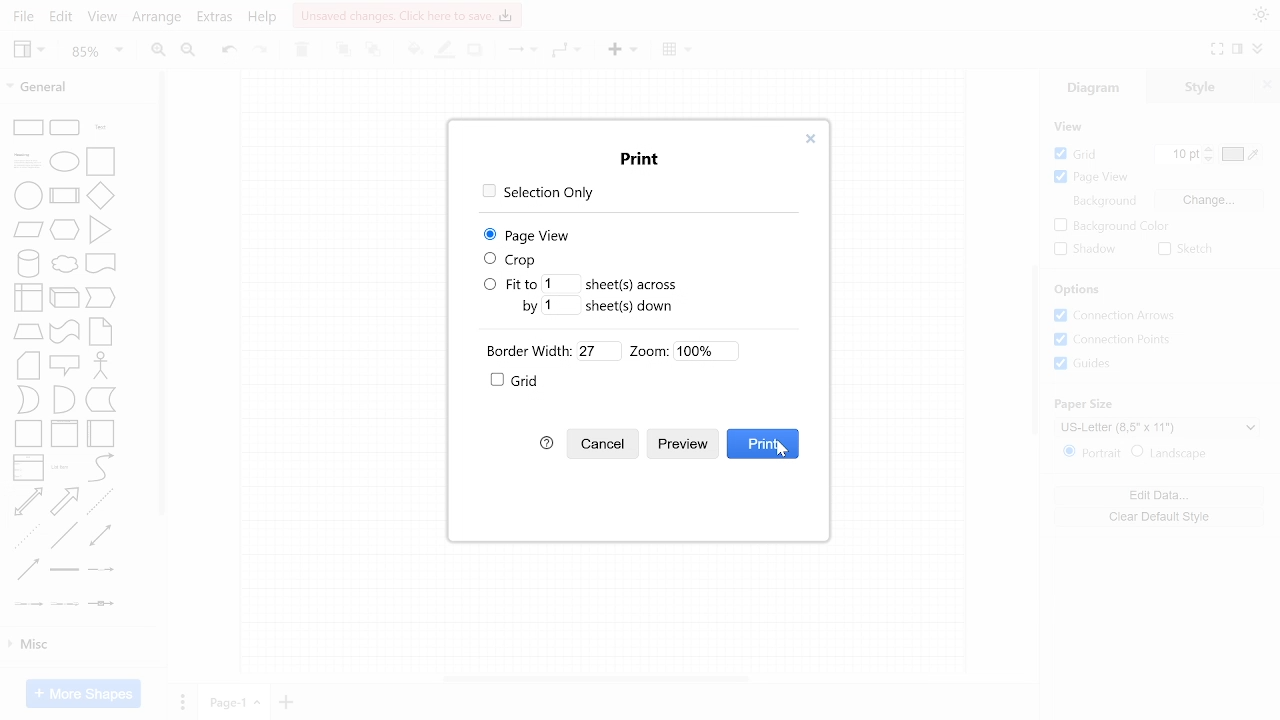 The image size is (1280, 720). Describe the element at coordinates (596, 679) in the screenshot. I see `Horizontal slide bar` at that location.